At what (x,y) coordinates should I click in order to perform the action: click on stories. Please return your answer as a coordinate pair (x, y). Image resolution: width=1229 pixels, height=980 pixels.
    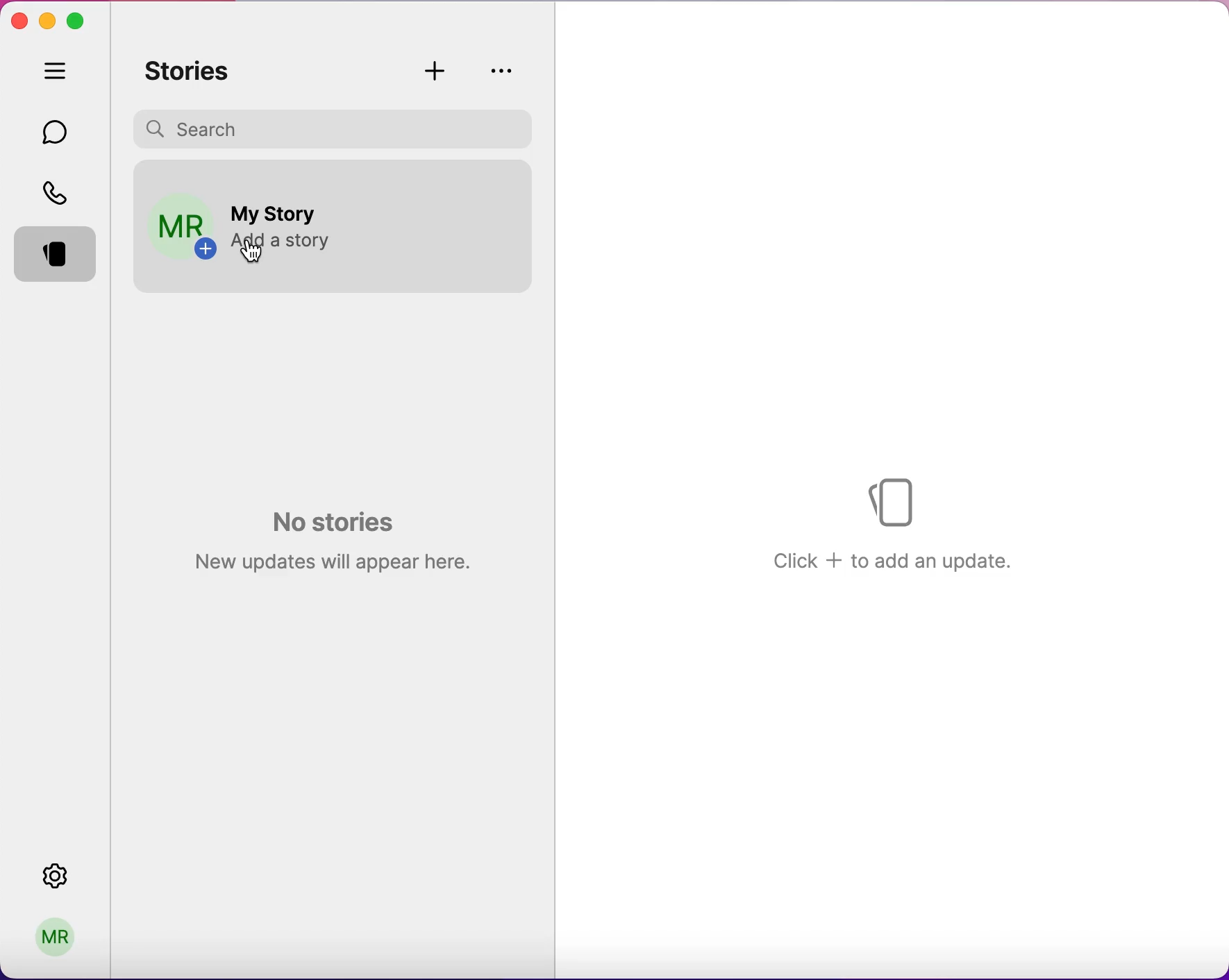
    Looking at the image, I should click on (195, 71).